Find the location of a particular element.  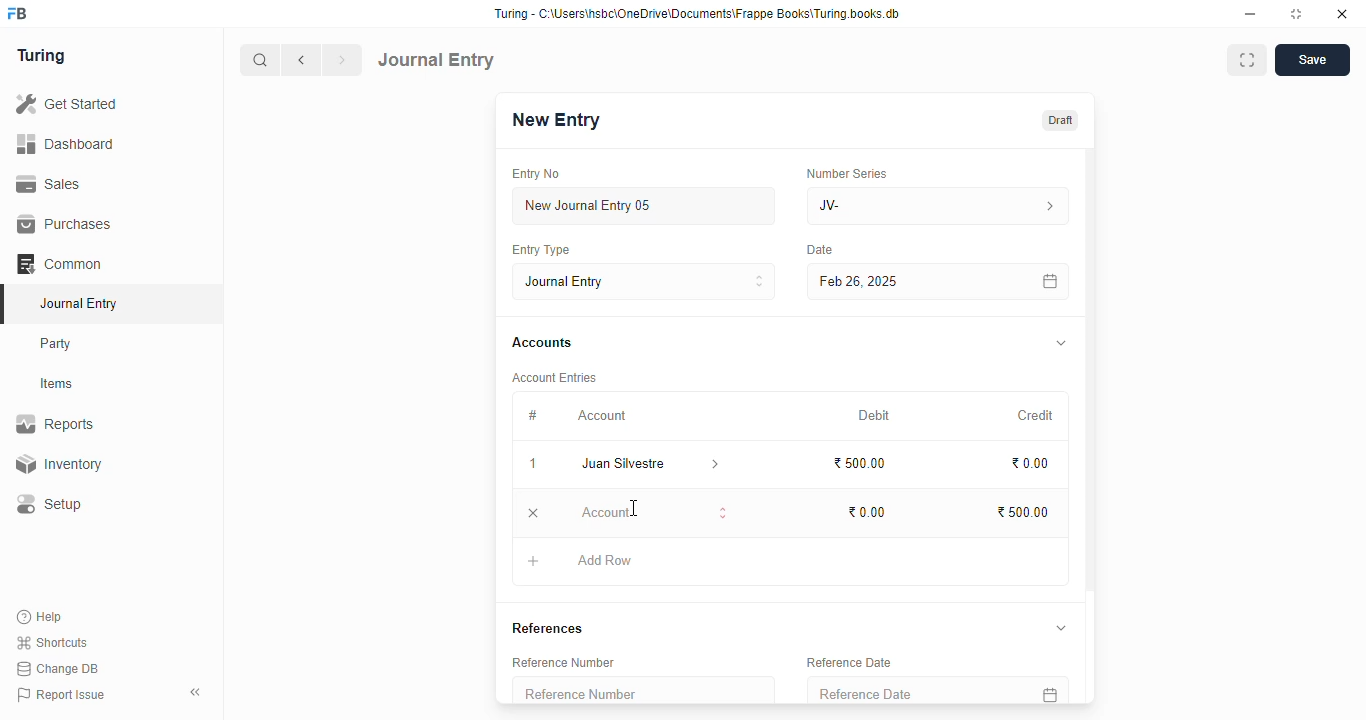

scroll bar is located at coordinates (1091, 424).